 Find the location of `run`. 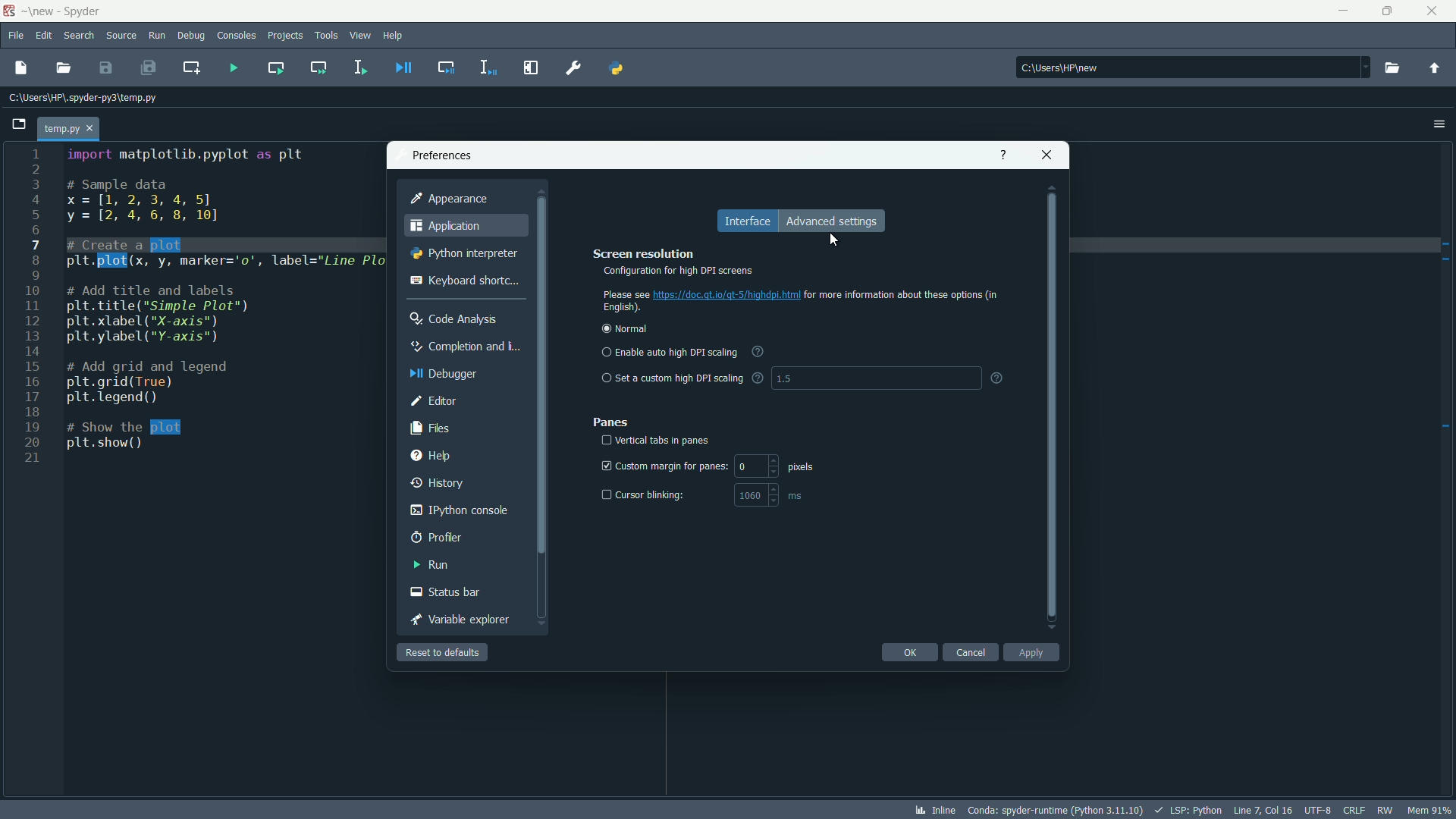

run is located at coordinates (156, 36).